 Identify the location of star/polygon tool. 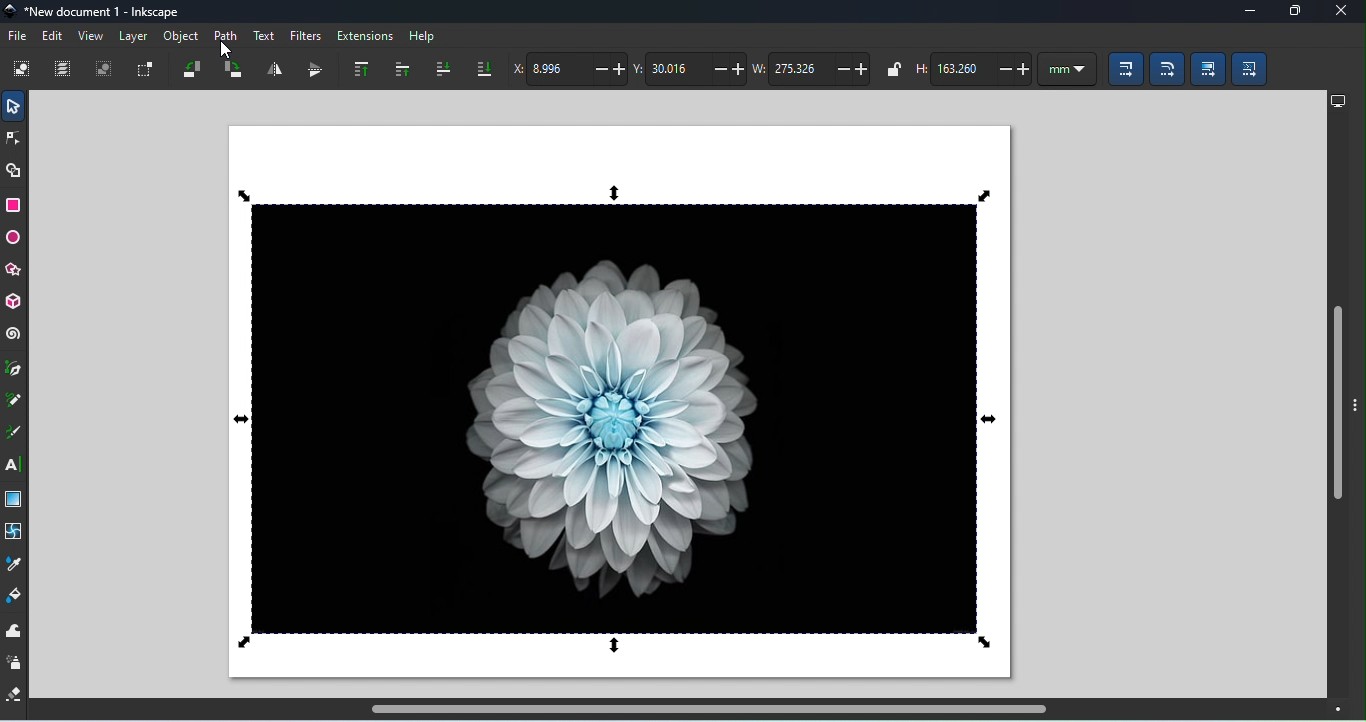
(13, 272).